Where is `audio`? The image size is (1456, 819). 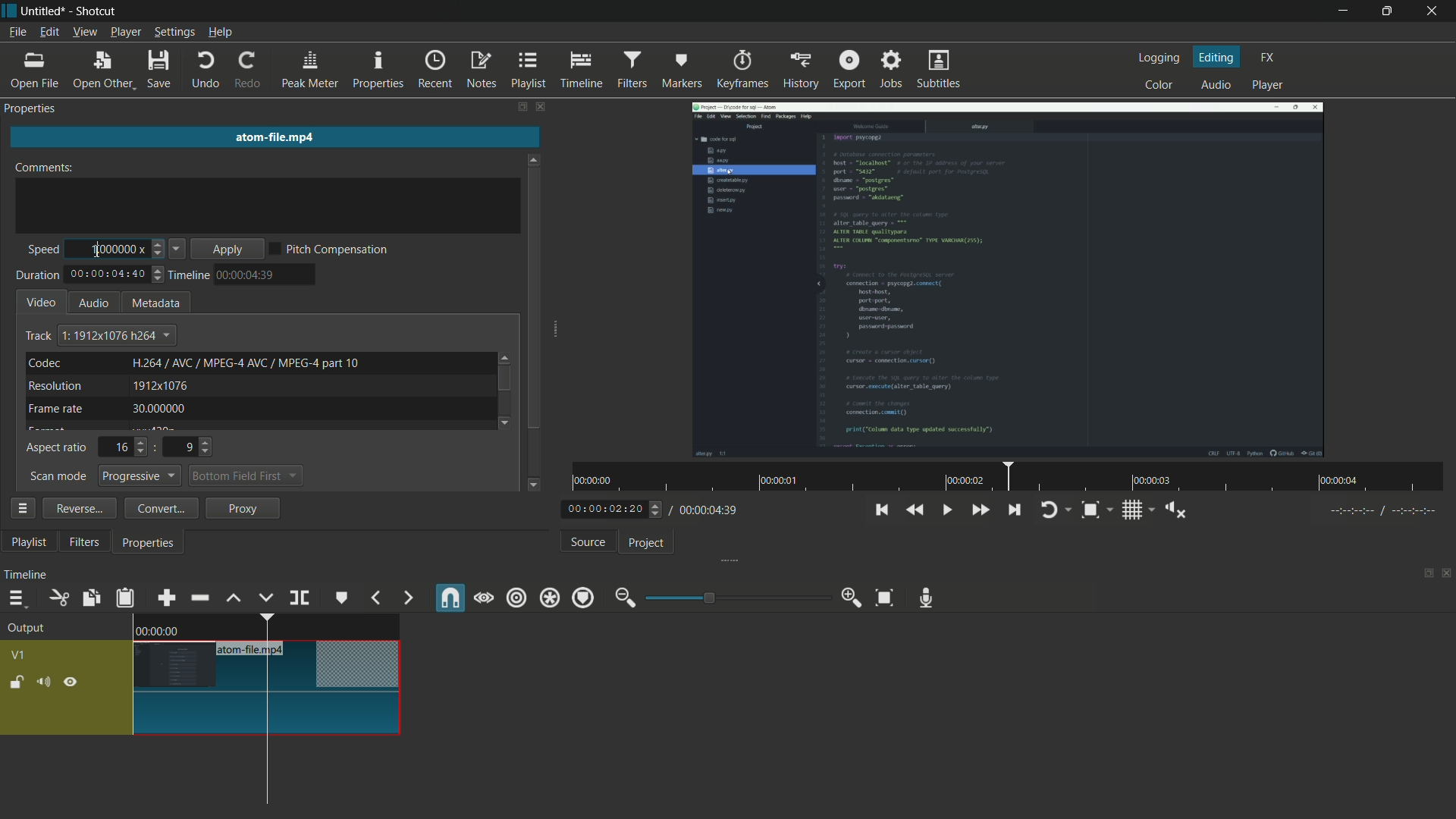
audio is located at coordinates (1217, 83).